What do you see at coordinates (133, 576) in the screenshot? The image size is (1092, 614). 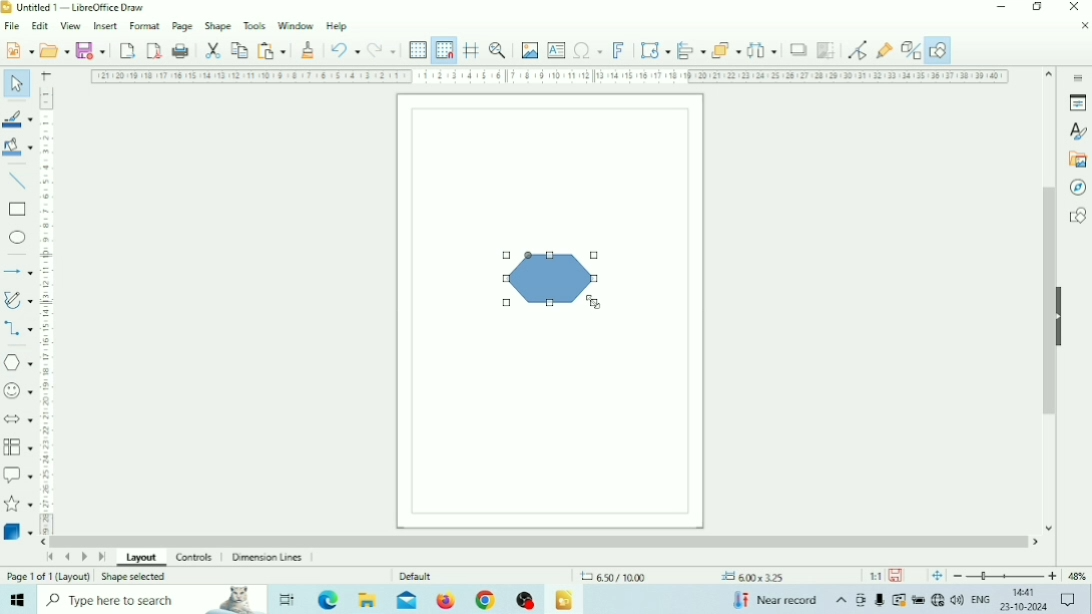 I see `Shape selected` at bounding box center [133, 576].